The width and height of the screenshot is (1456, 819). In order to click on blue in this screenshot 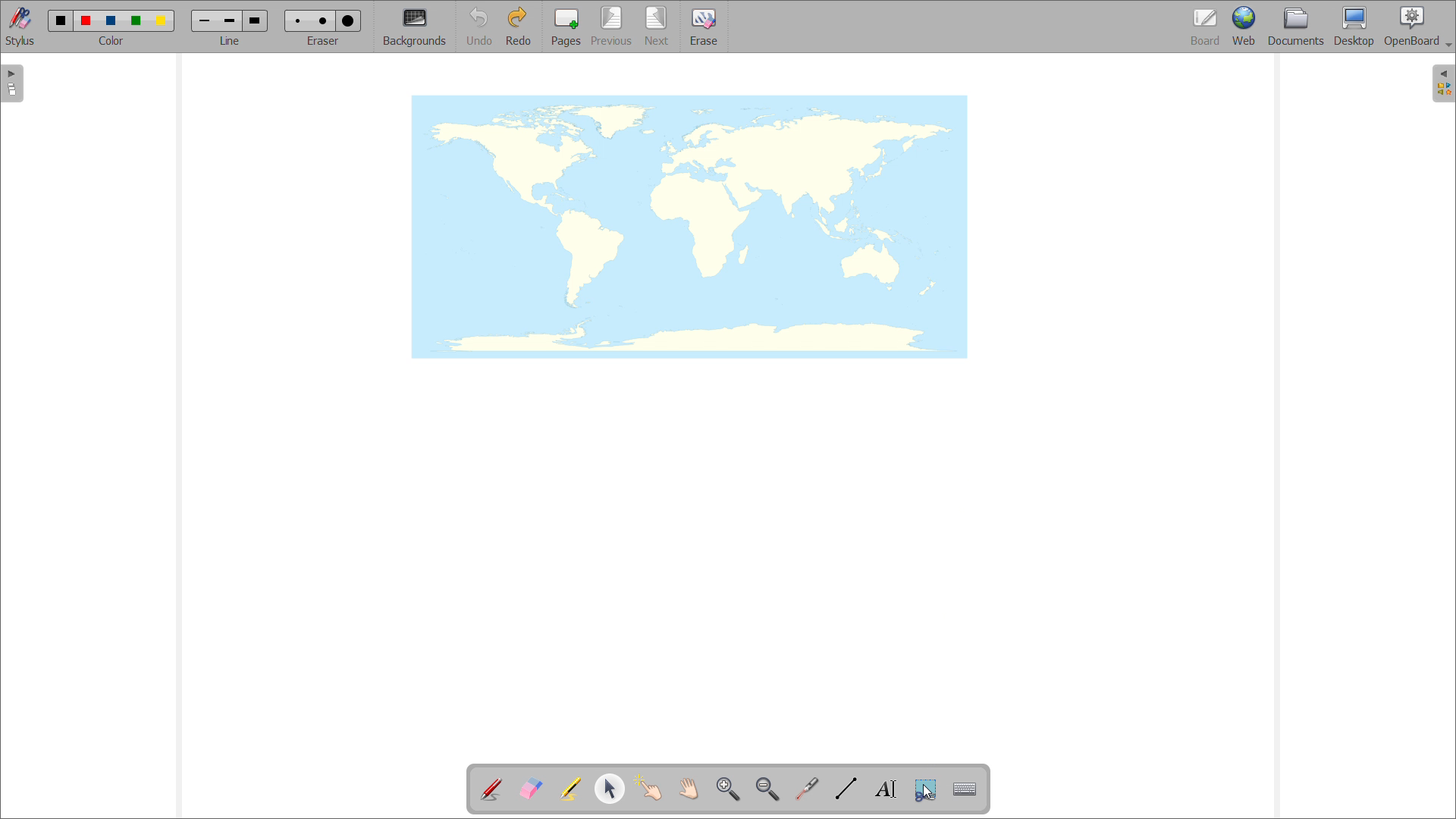, I will do `click(111, 21)`.